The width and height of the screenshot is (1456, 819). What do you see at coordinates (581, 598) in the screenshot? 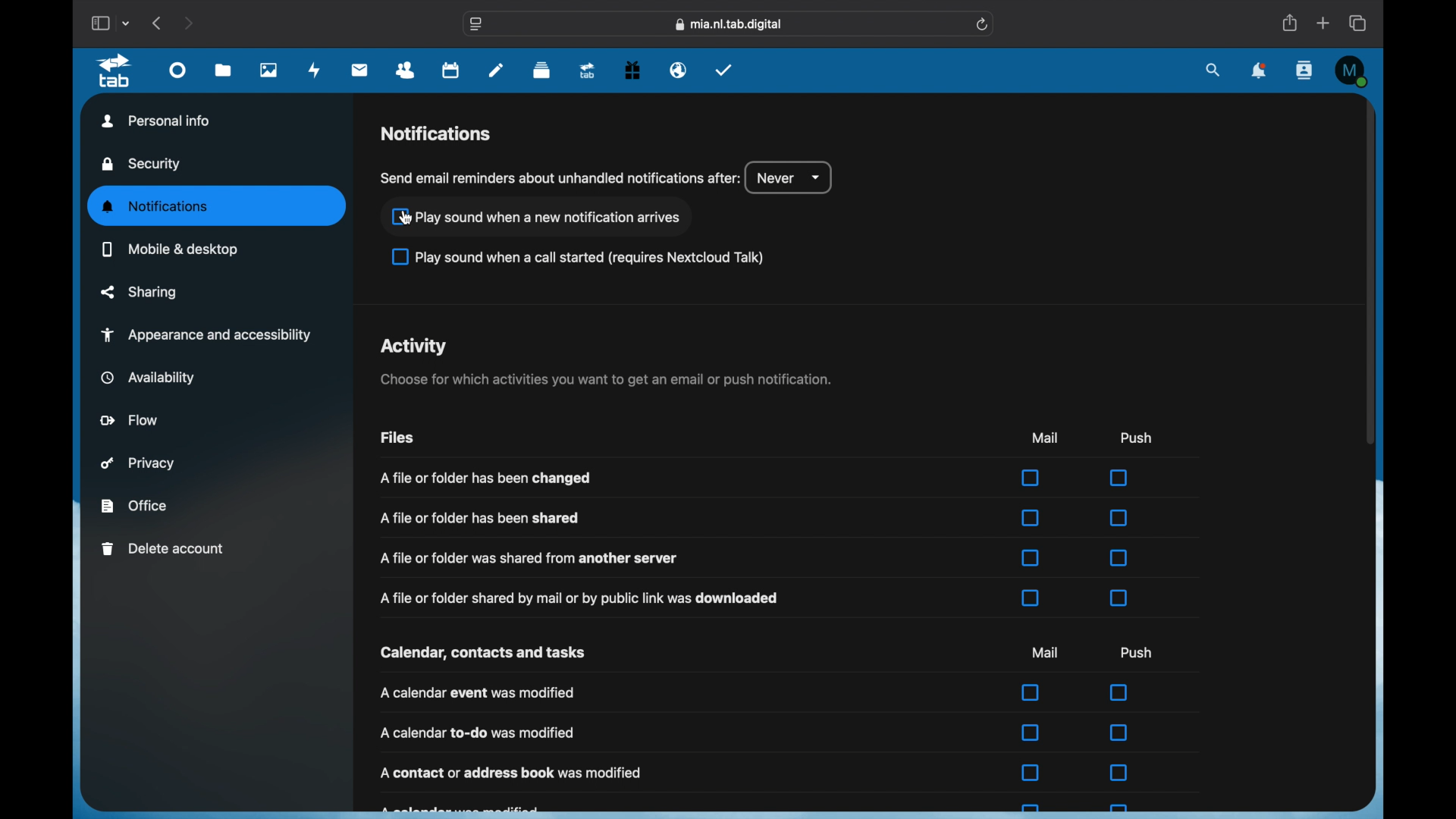
I see `info` at bounding box center [581, 598].